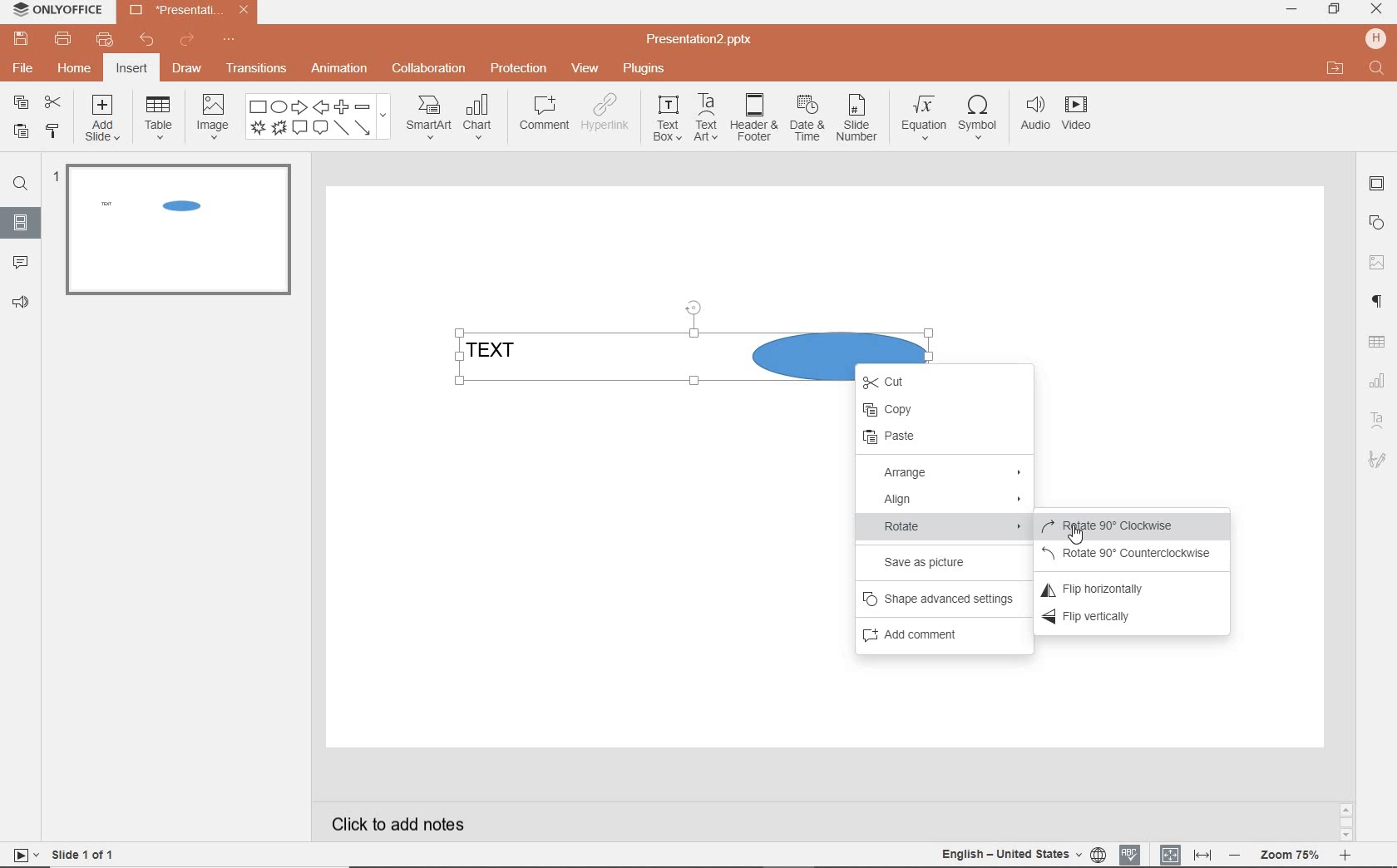 The height and width of the screenshot is (868, 1397). I want to click on transitions, so click(257, 67).